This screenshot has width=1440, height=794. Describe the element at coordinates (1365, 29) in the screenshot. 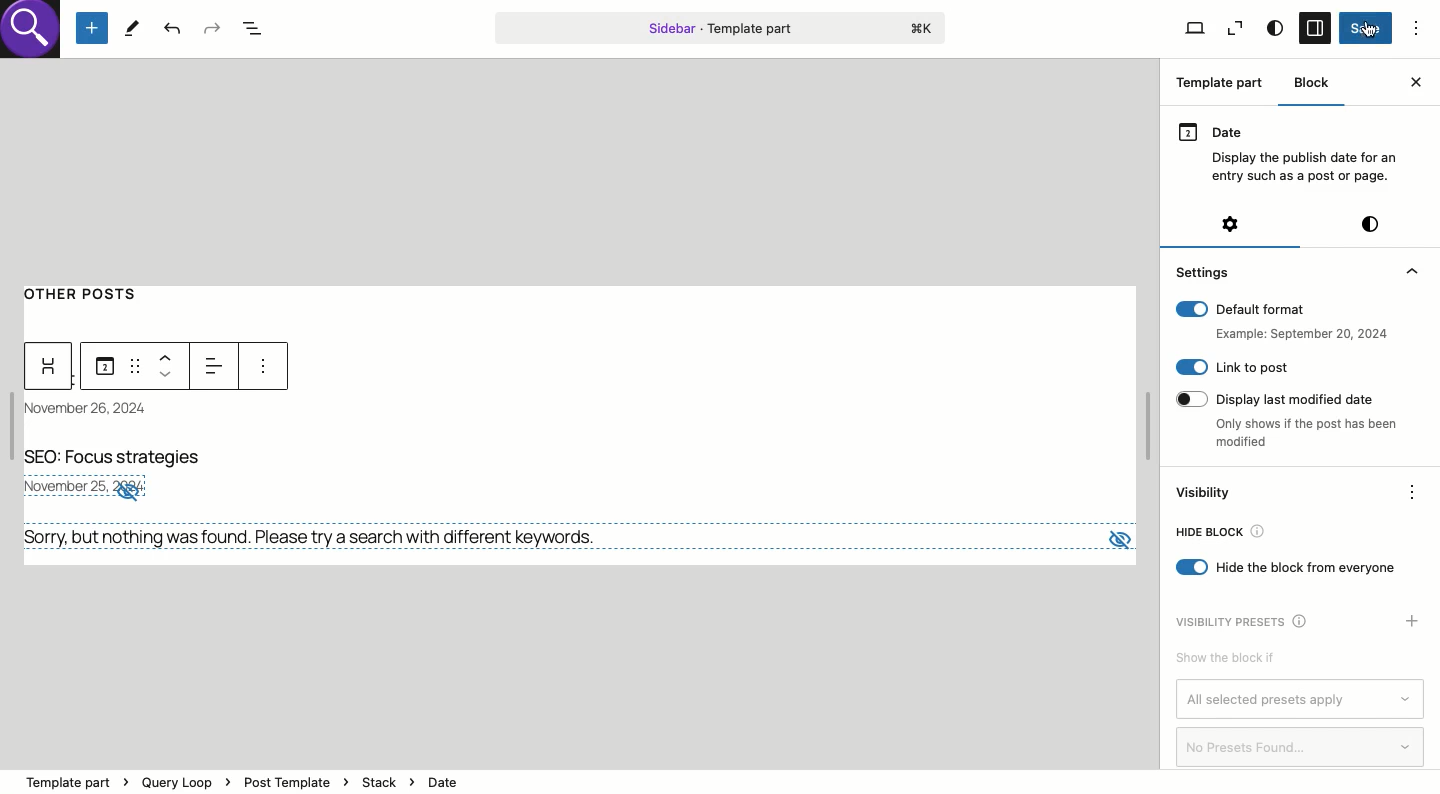

I see `Save` at that location.